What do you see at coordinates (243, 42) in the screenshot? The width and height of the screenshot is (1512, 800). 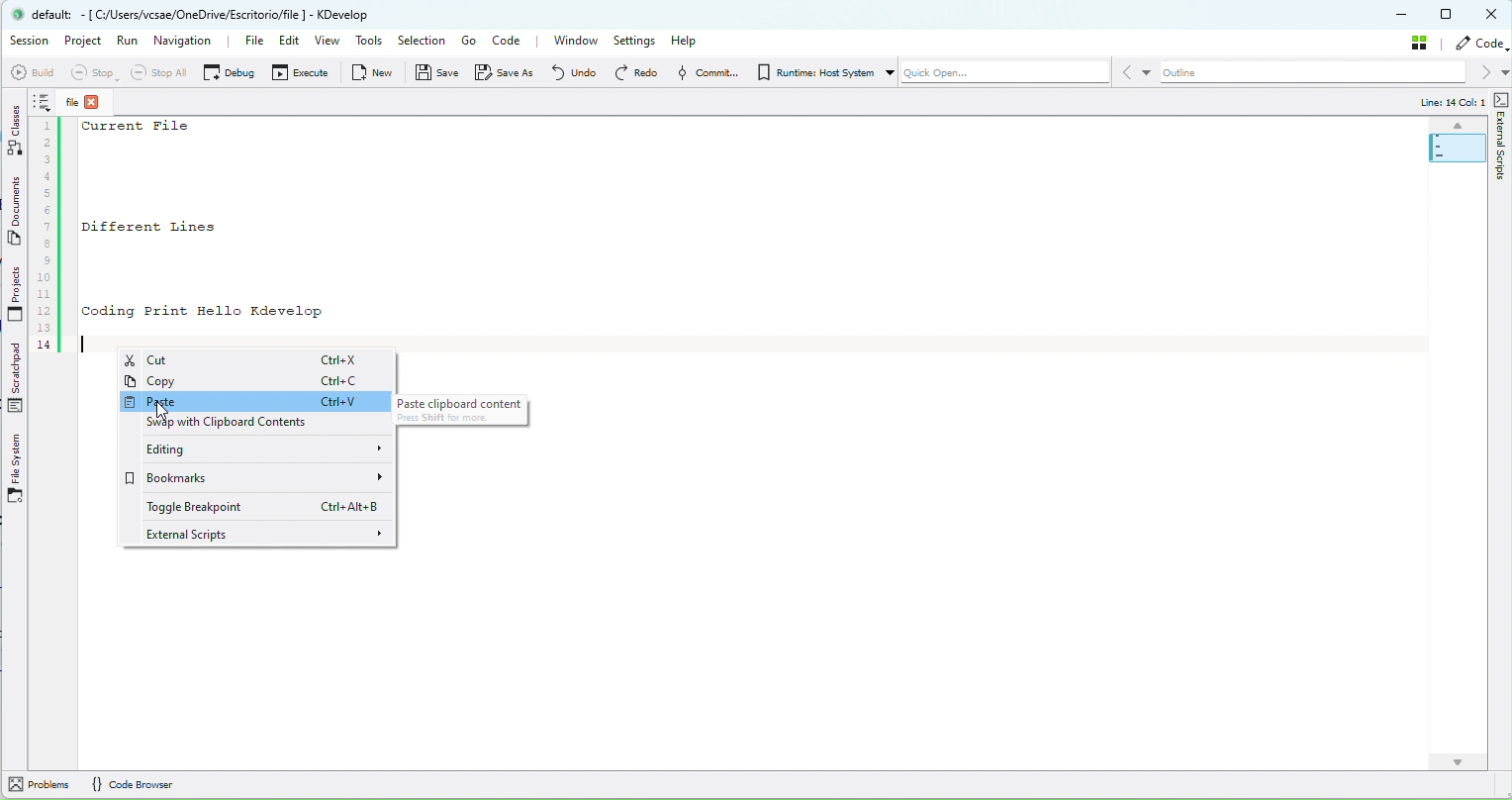 I see `File` at bounding box center [243, 42].